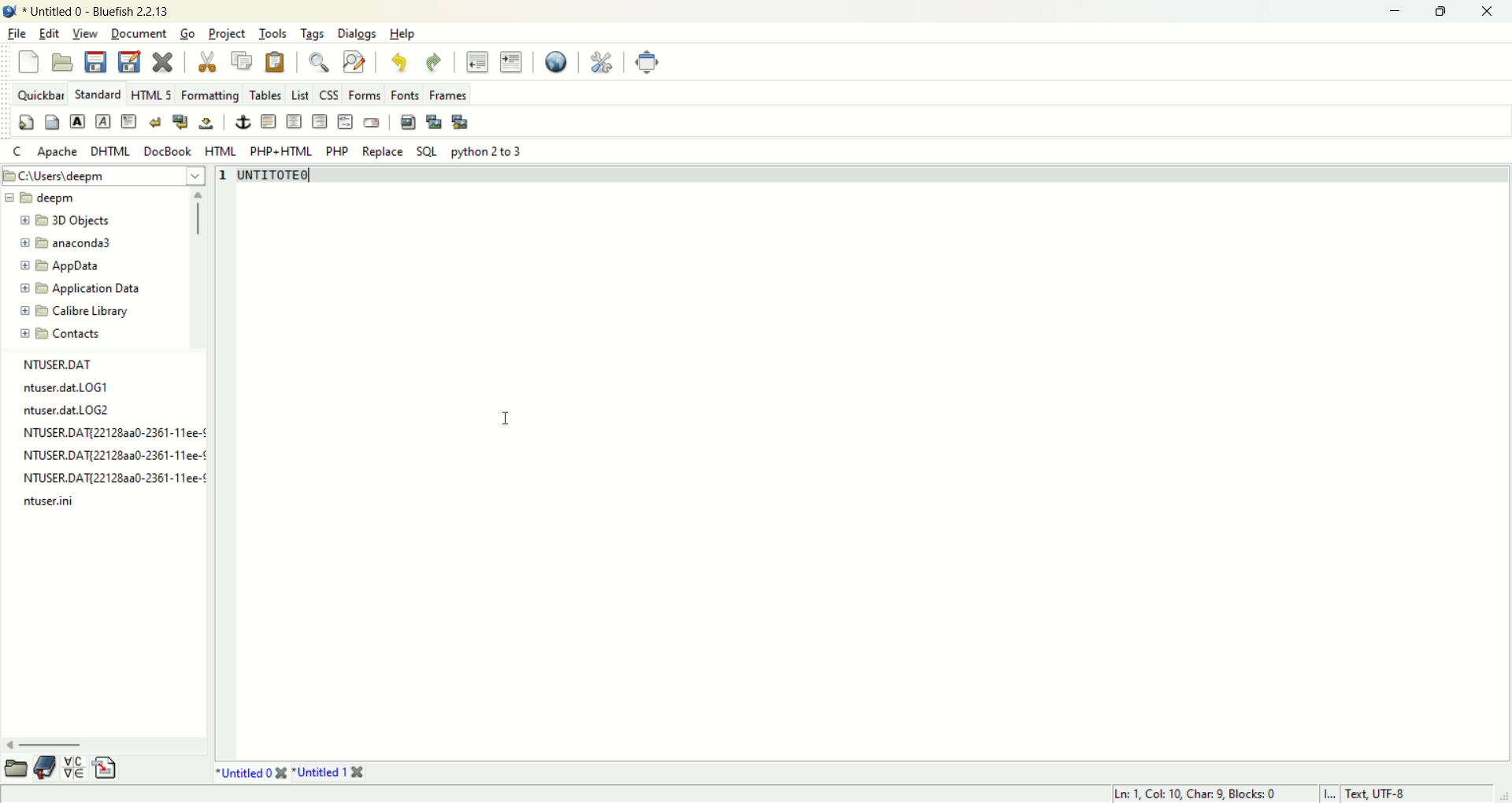 The width and height of the screenshot is (1512, 803). Describe the element at coordinates (406, 94) in the screenshot. I see `fonts` at that location.